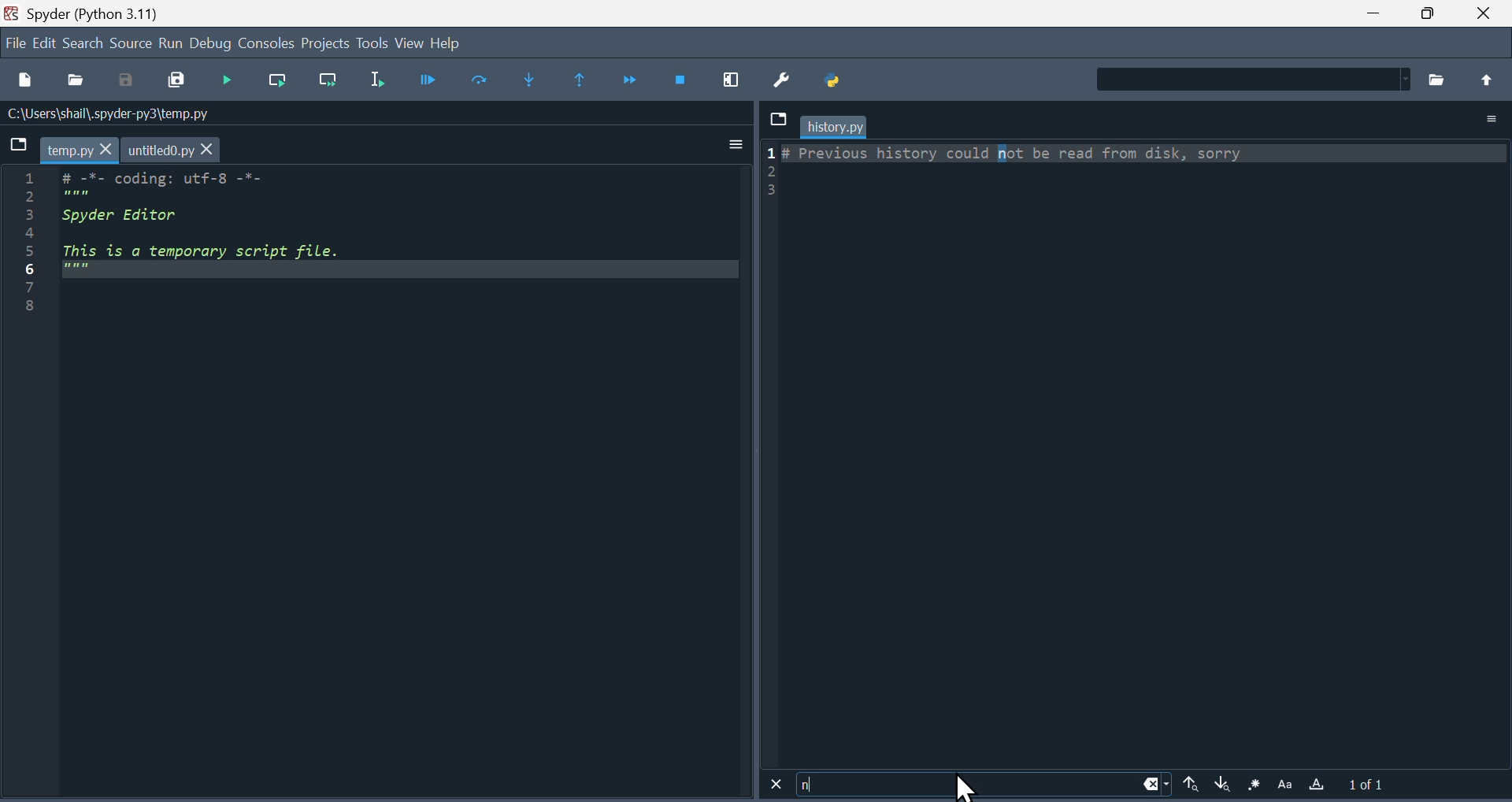 The image size is (1512, 802). I want to click on Open file, so click(76, 80).